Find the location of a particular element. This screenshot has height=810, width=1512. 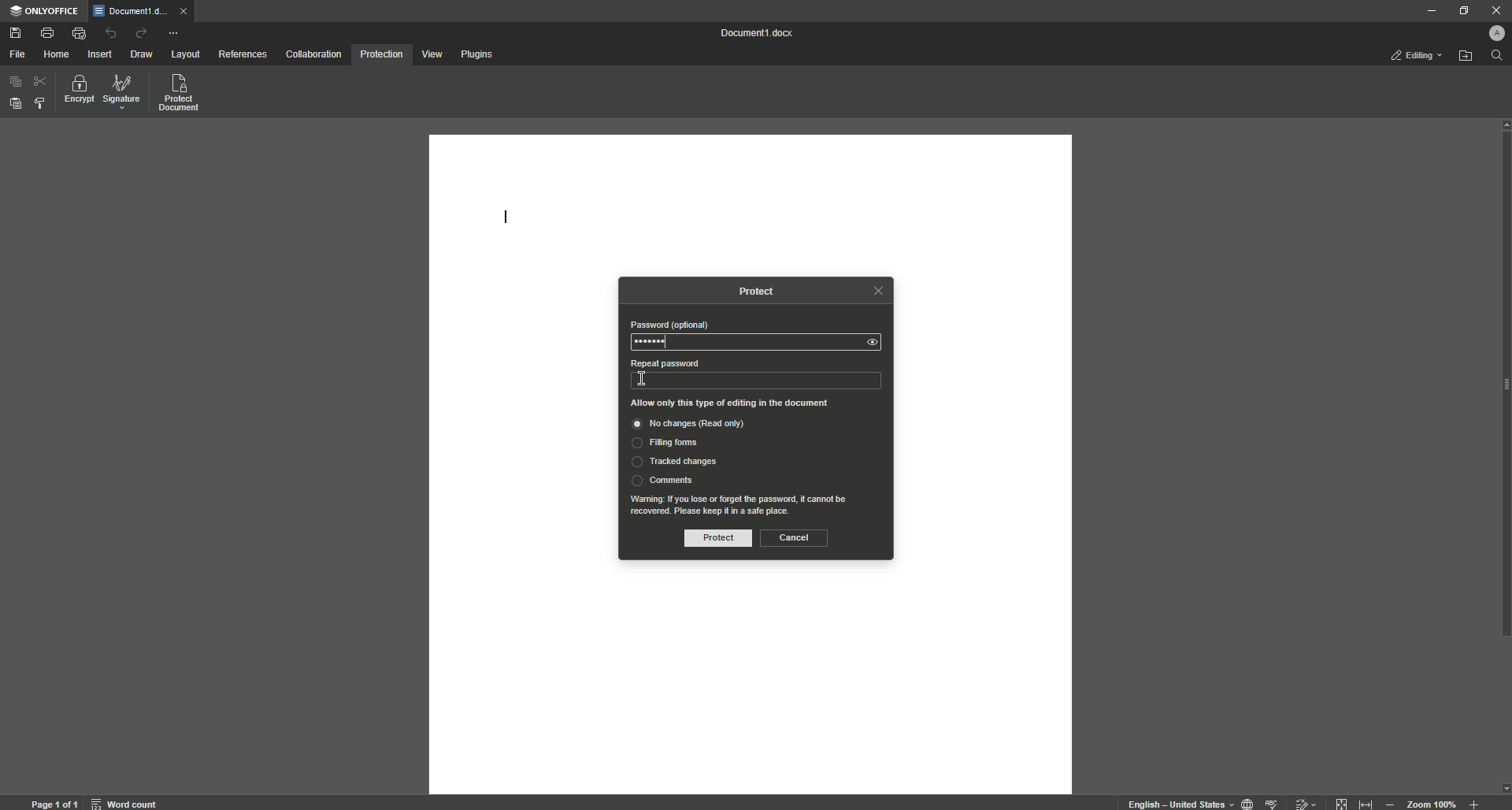

type is located at coordinates (747, 380).